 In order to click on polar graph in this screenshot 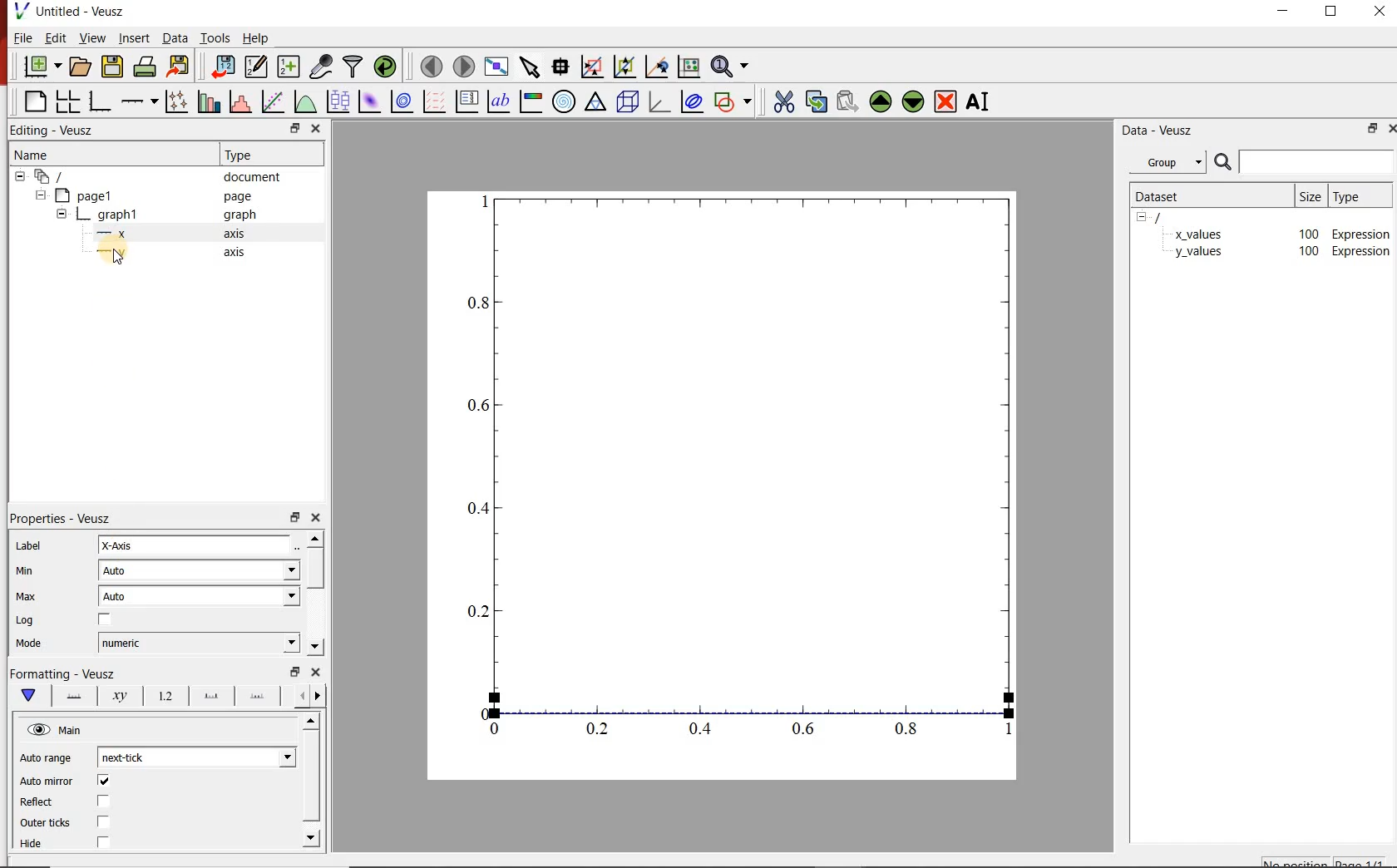, I will do `click(565, 103)`.